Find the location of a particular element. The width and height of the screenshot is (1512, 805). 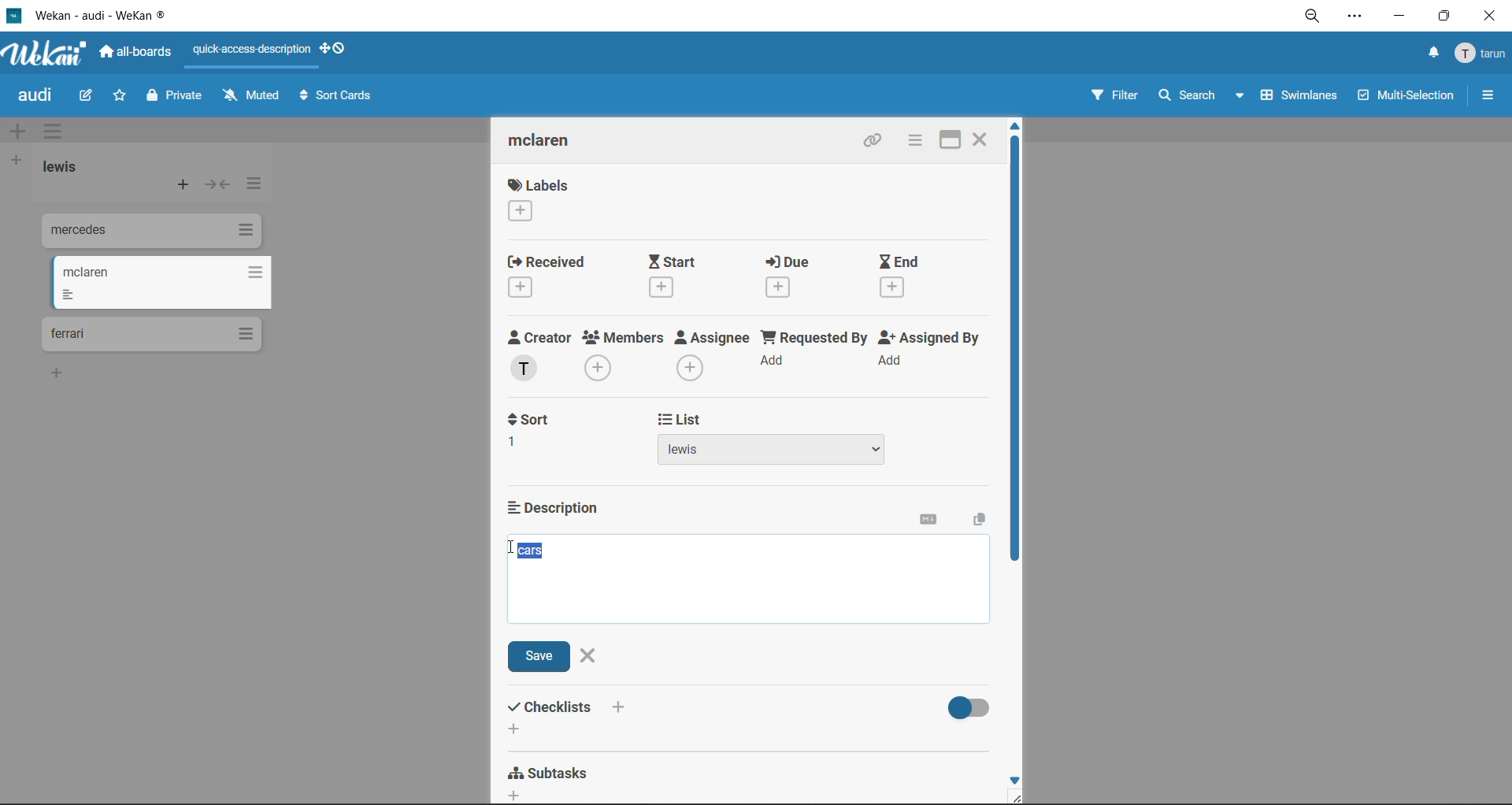

close is located at coordinates (590, 655).